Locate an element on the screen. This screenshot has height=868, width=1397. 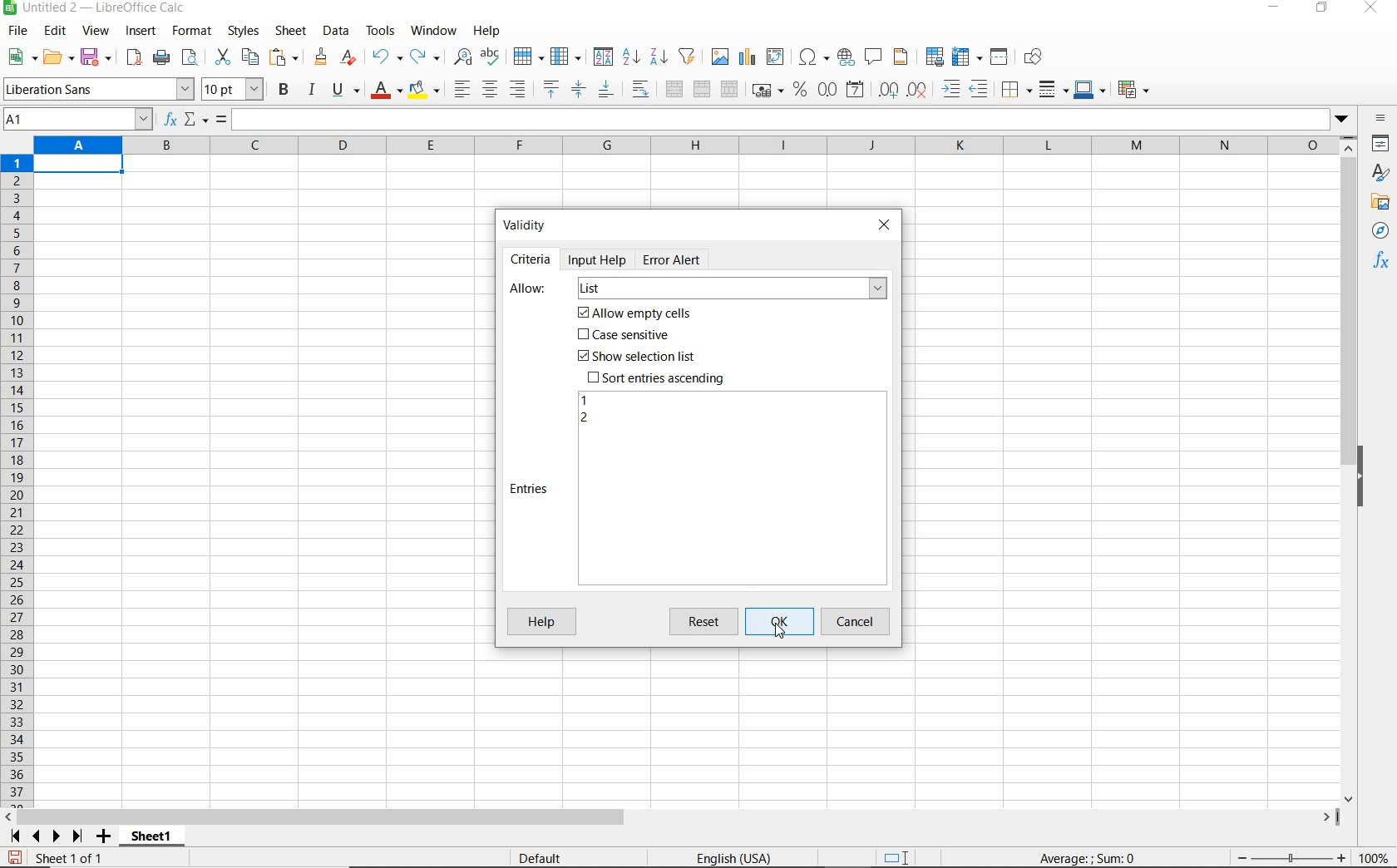
spelling is located at coordinates (492, 57).